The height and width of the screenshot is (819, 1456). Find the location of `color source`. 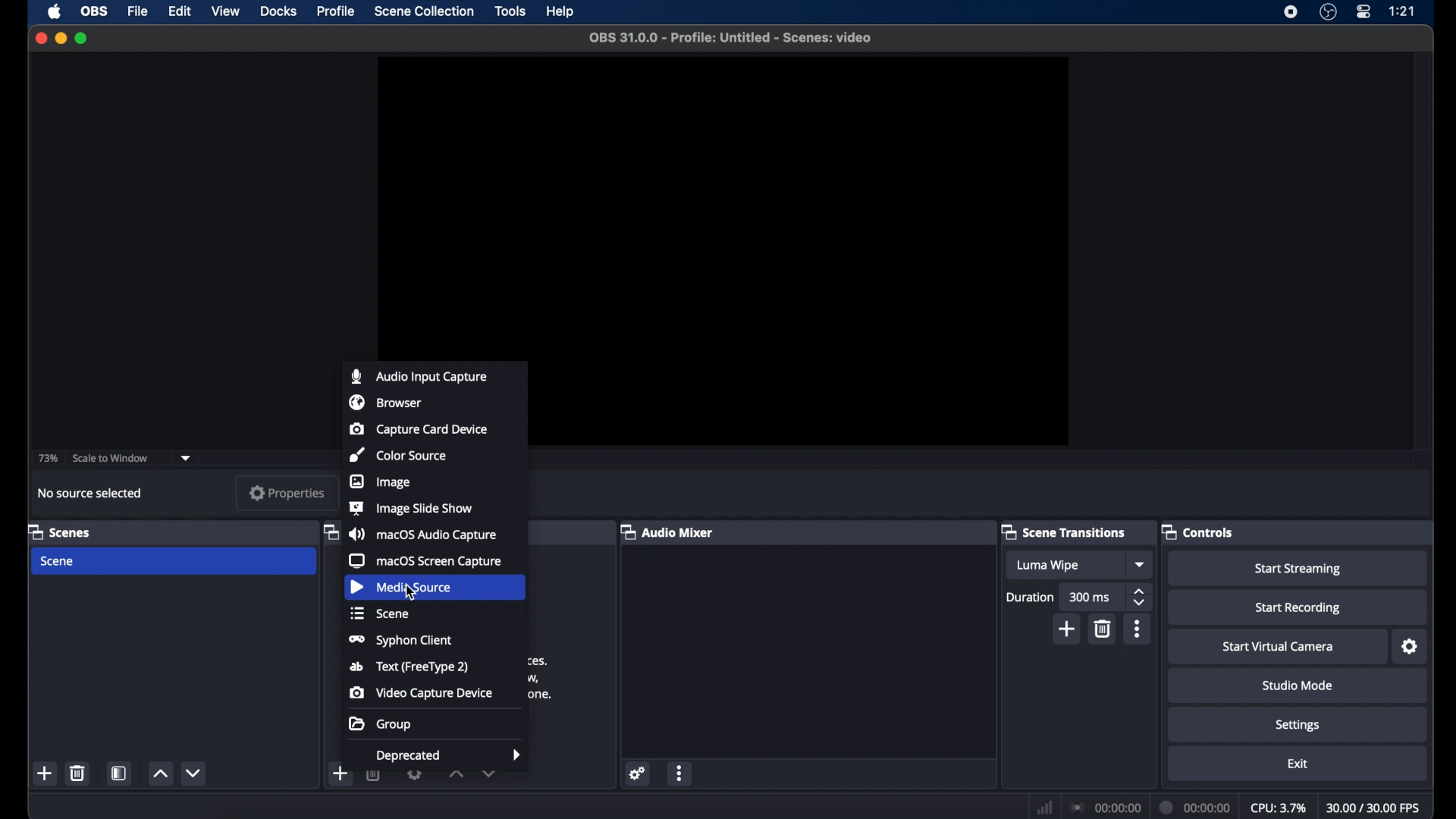

color source is located at coordinates (397, 454).